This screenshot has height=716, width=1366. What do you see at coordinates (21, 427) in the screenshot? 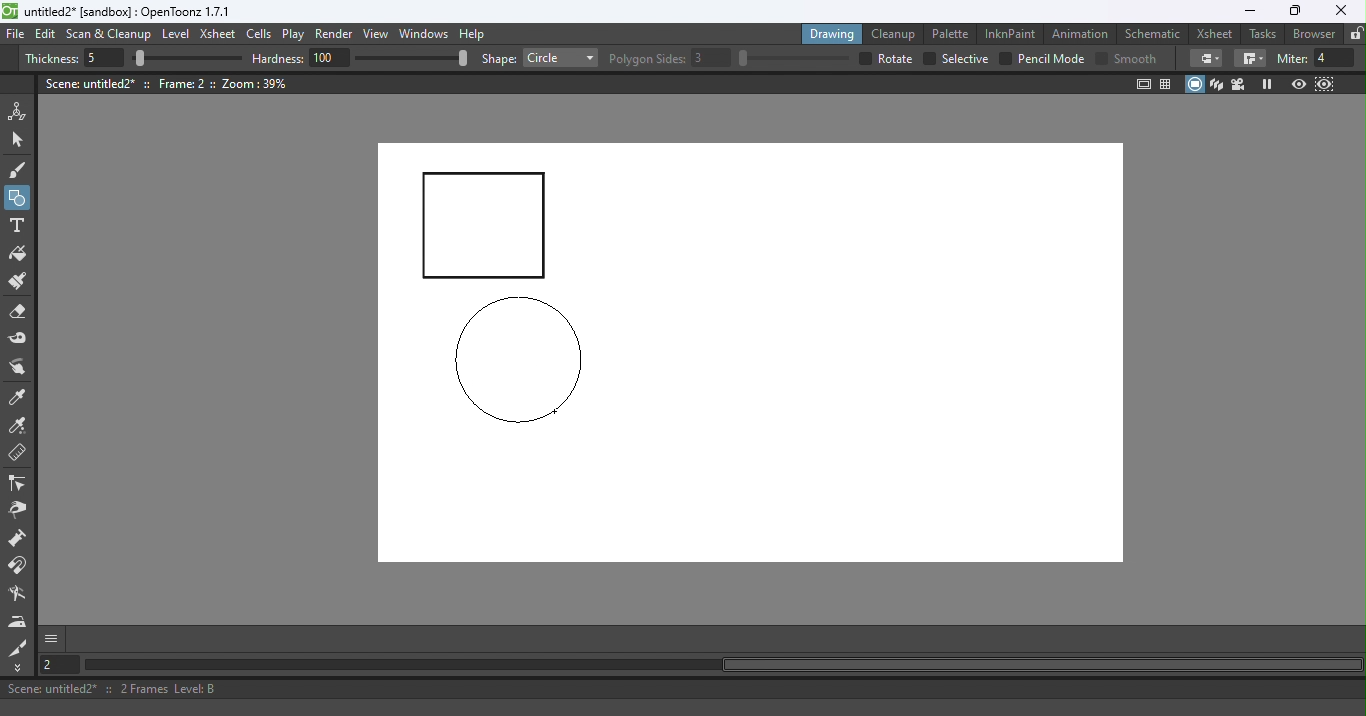
I see `RGB picker tool` at bounding box center [21, 427].